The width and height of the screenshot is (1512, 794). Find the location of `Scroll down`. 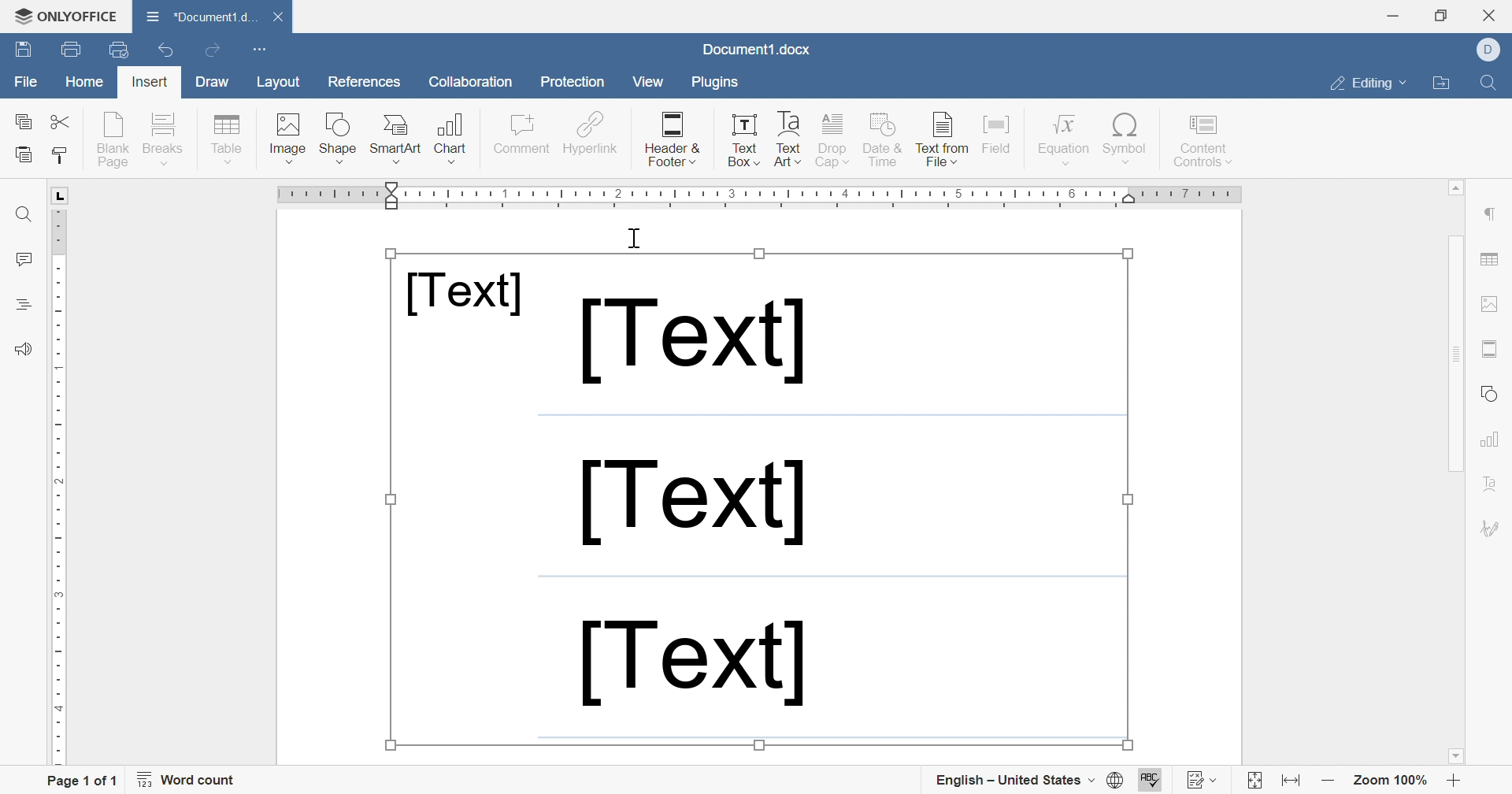

Scroll down is located at coordinates (1454, 756).